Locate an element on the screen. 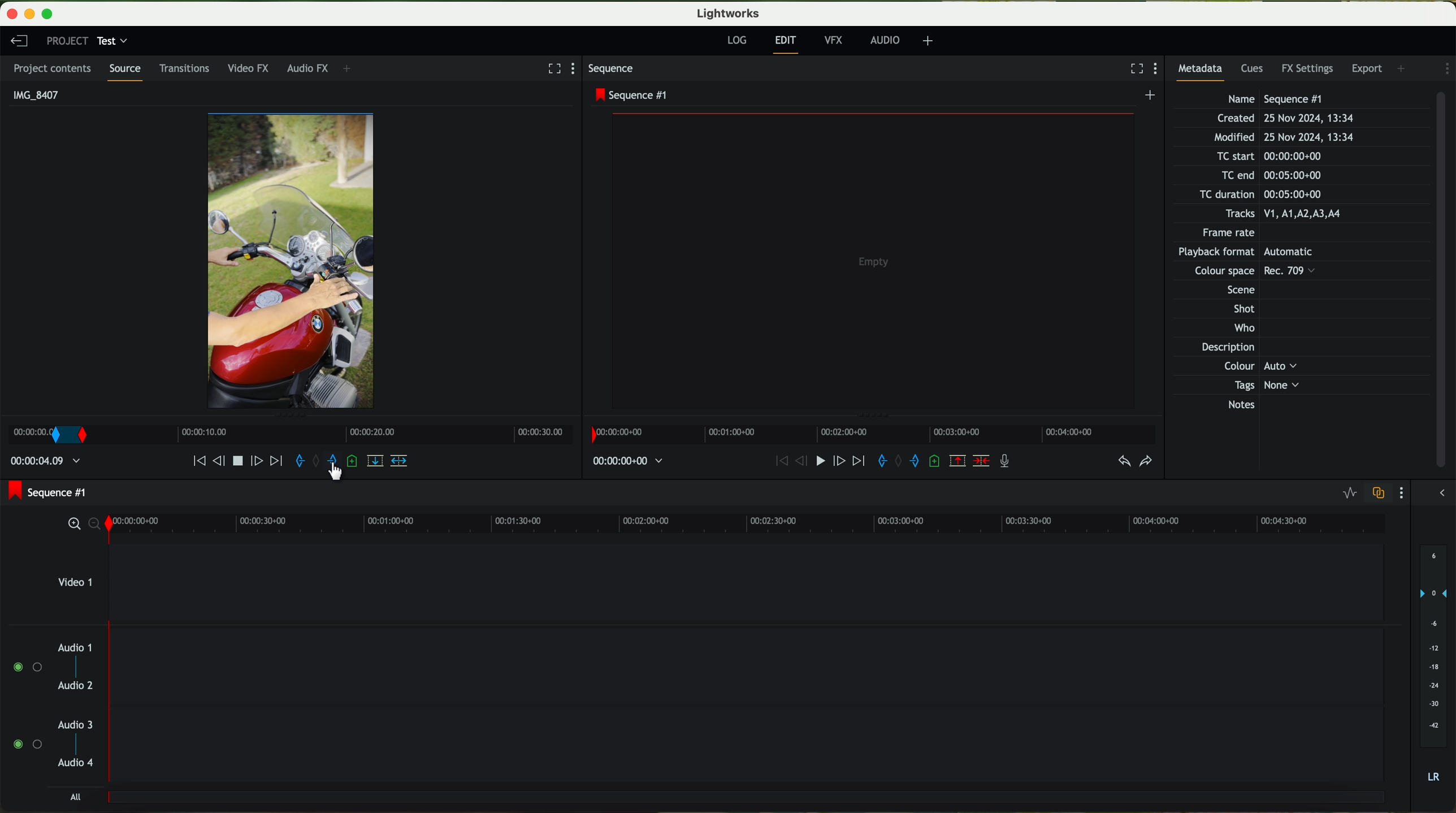  nudge one frame forward is located at coordinates (259, 462).